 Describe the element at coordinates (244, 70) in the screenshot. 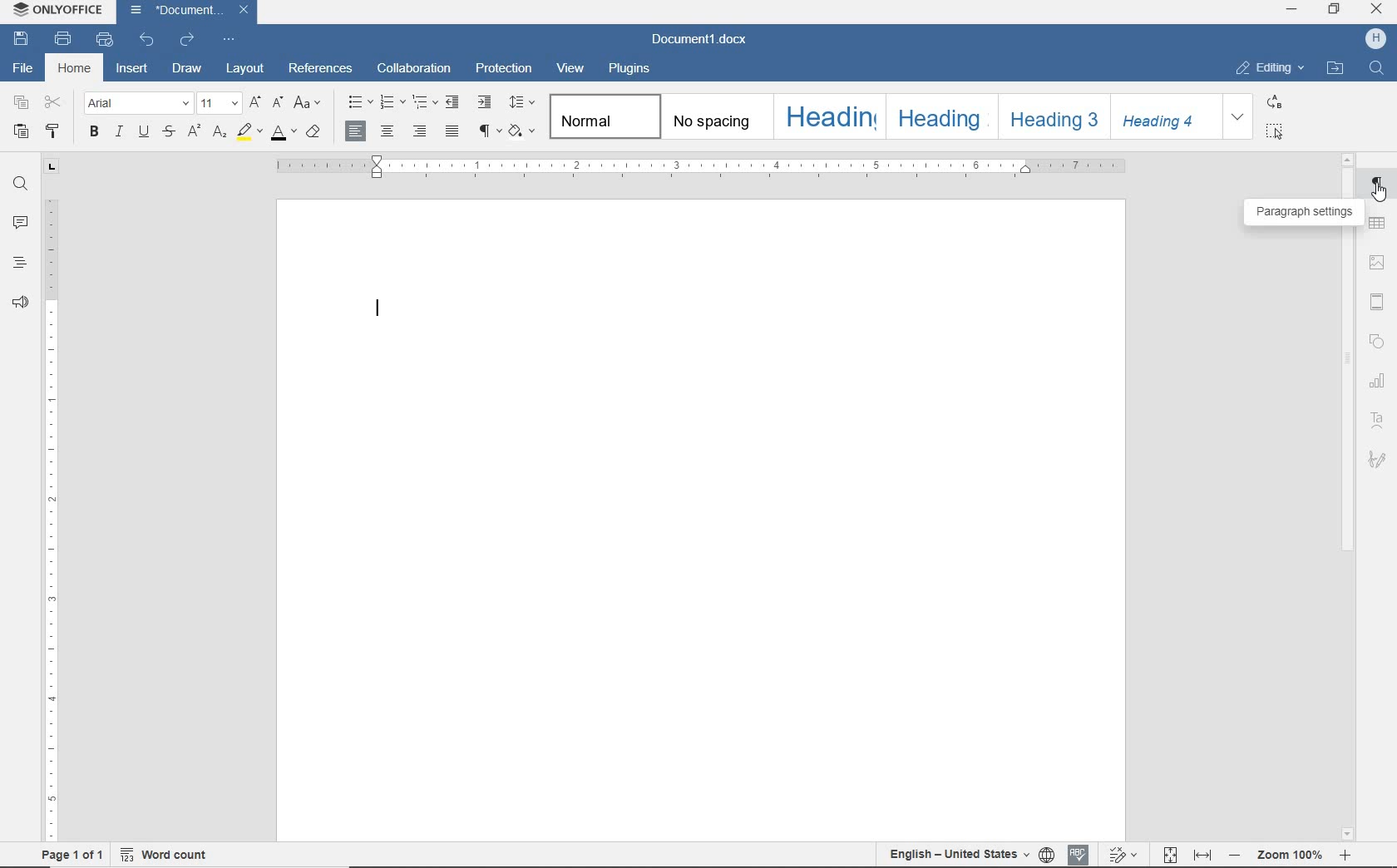

I see `layout` at that location.